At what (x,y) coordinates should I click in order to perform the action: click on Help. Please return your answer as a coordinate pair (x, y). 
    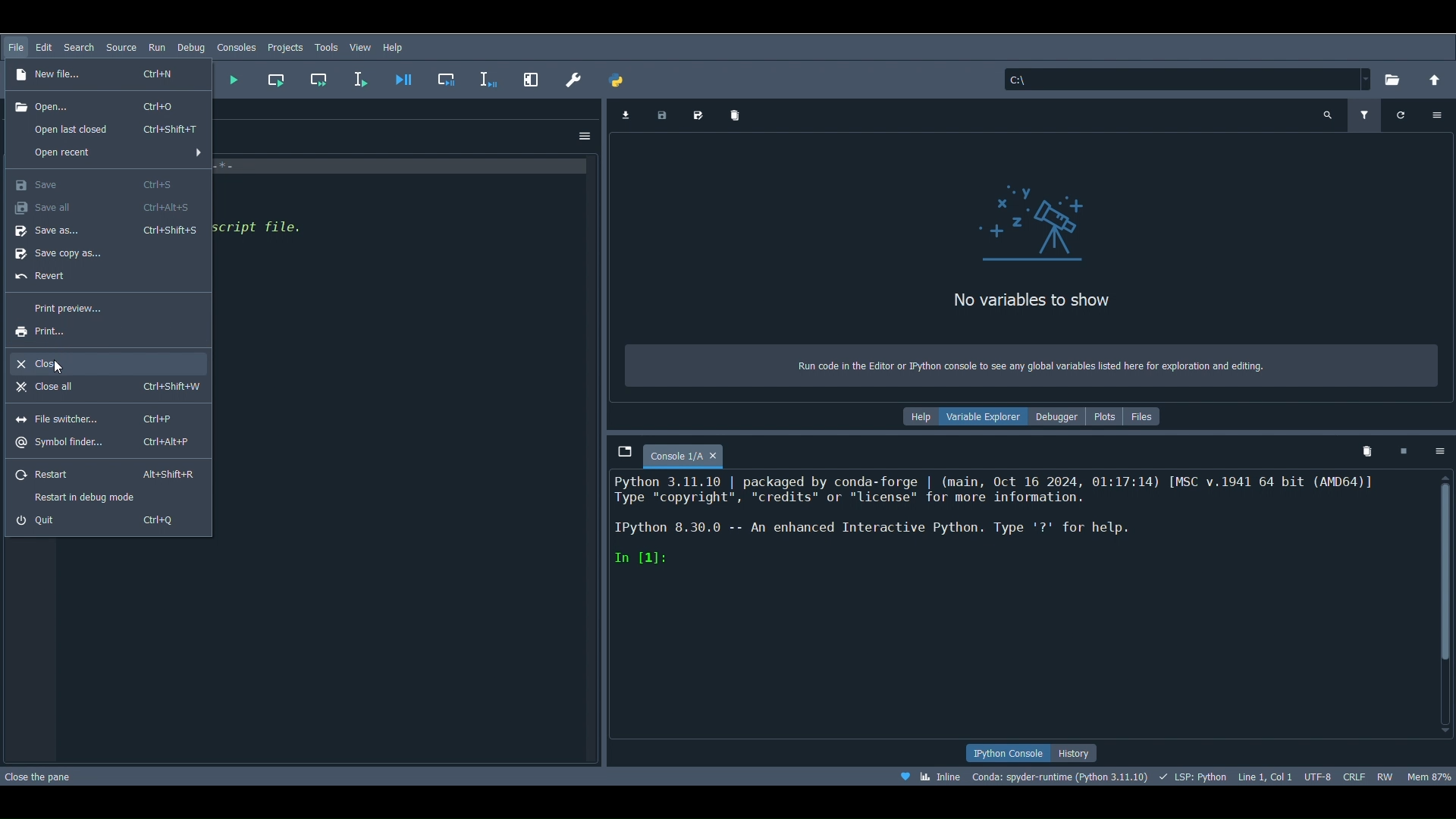
    Looking at the image, I should click on (396, 47).